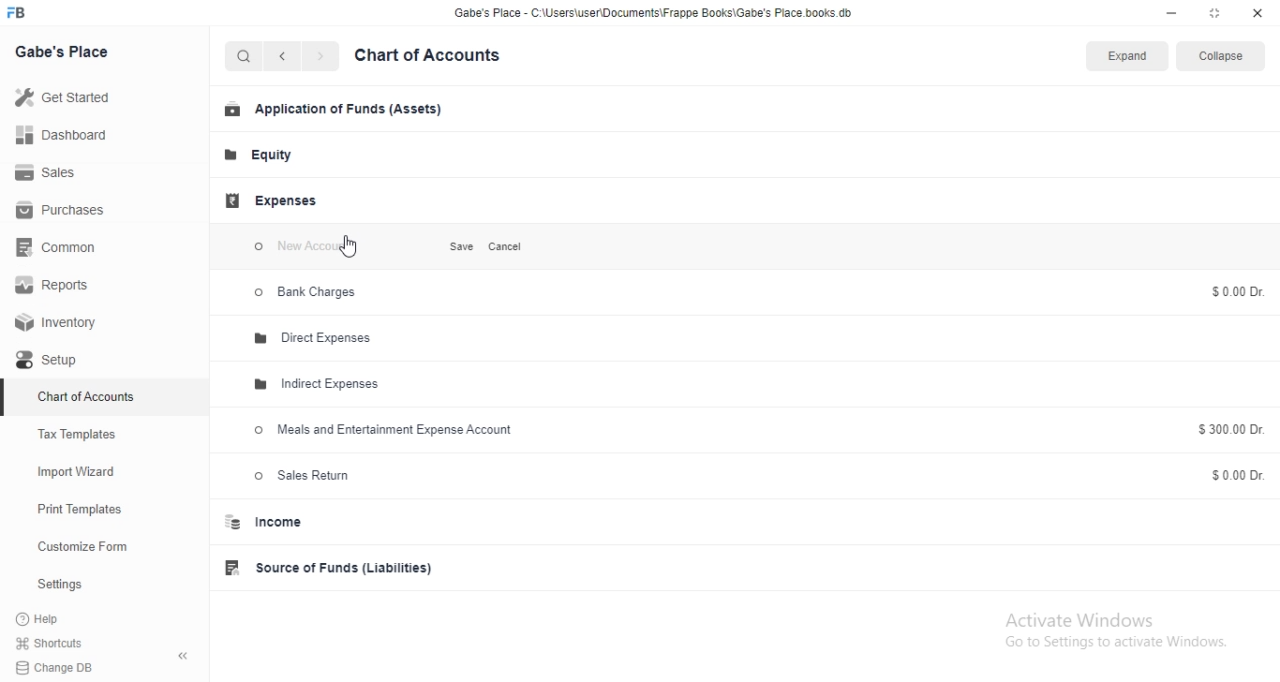 The image size is (1280, 682). Describe the element at coordinates (1216, 15) in the screenshot. I see `restore down` at that location.